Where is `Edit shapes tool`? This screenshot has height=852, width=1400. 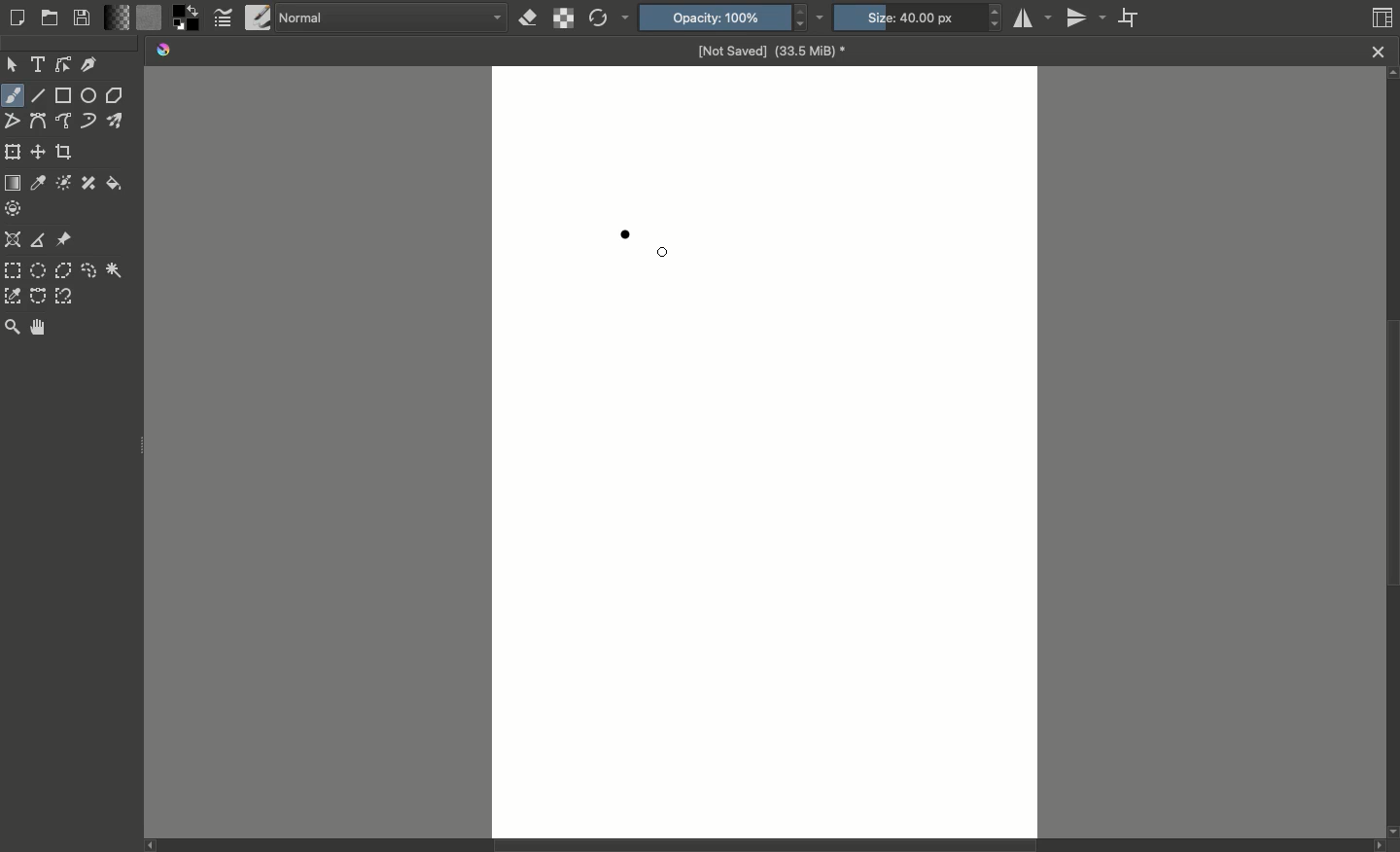 Edit shapes tool is located at coordinates (63, 66).